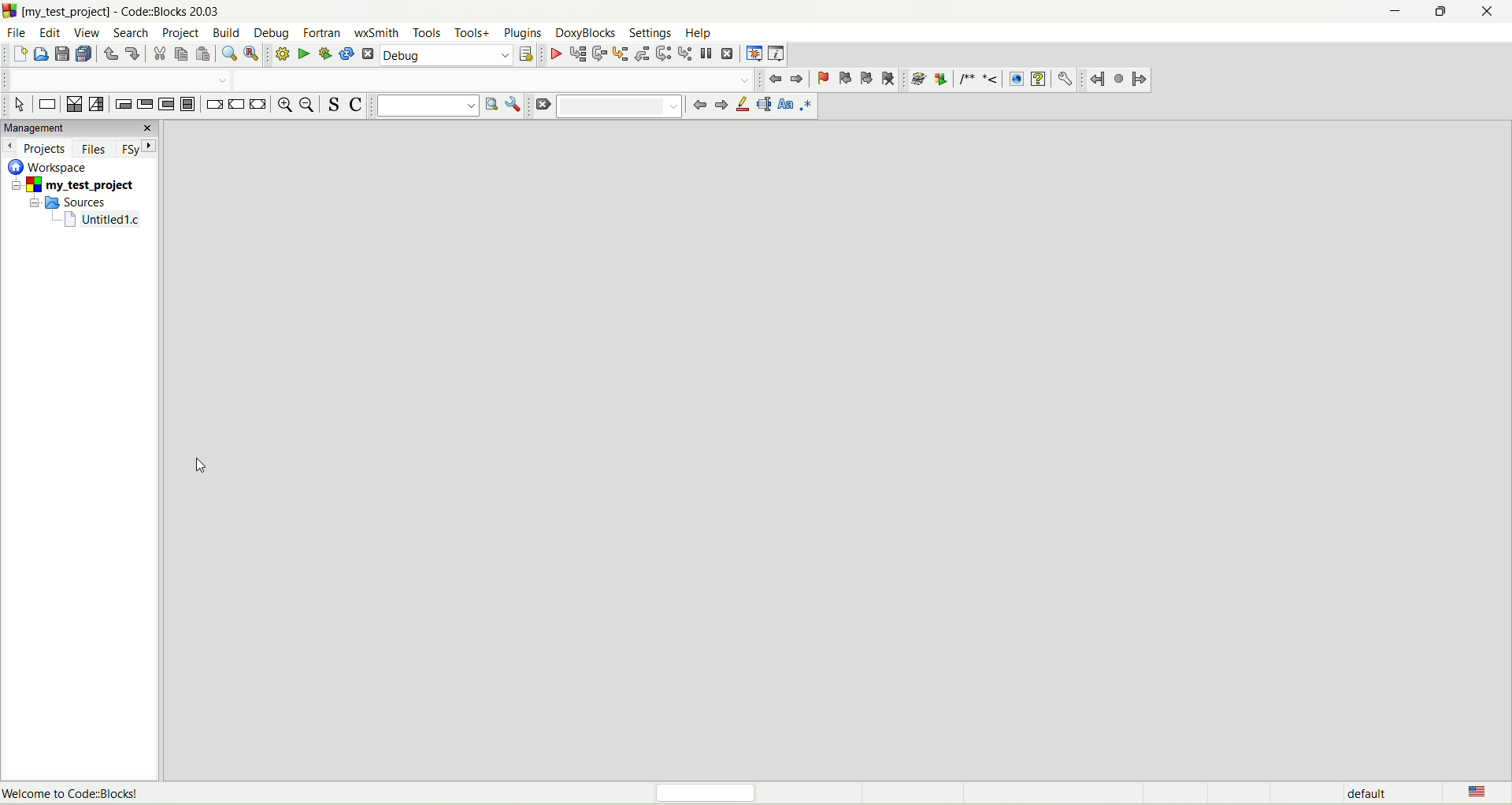 This screenshot has height=805, width=1512. What do you see at coordinates (650, 32) in the screenshot?
I see `settings` at bounding box center [650, 32].